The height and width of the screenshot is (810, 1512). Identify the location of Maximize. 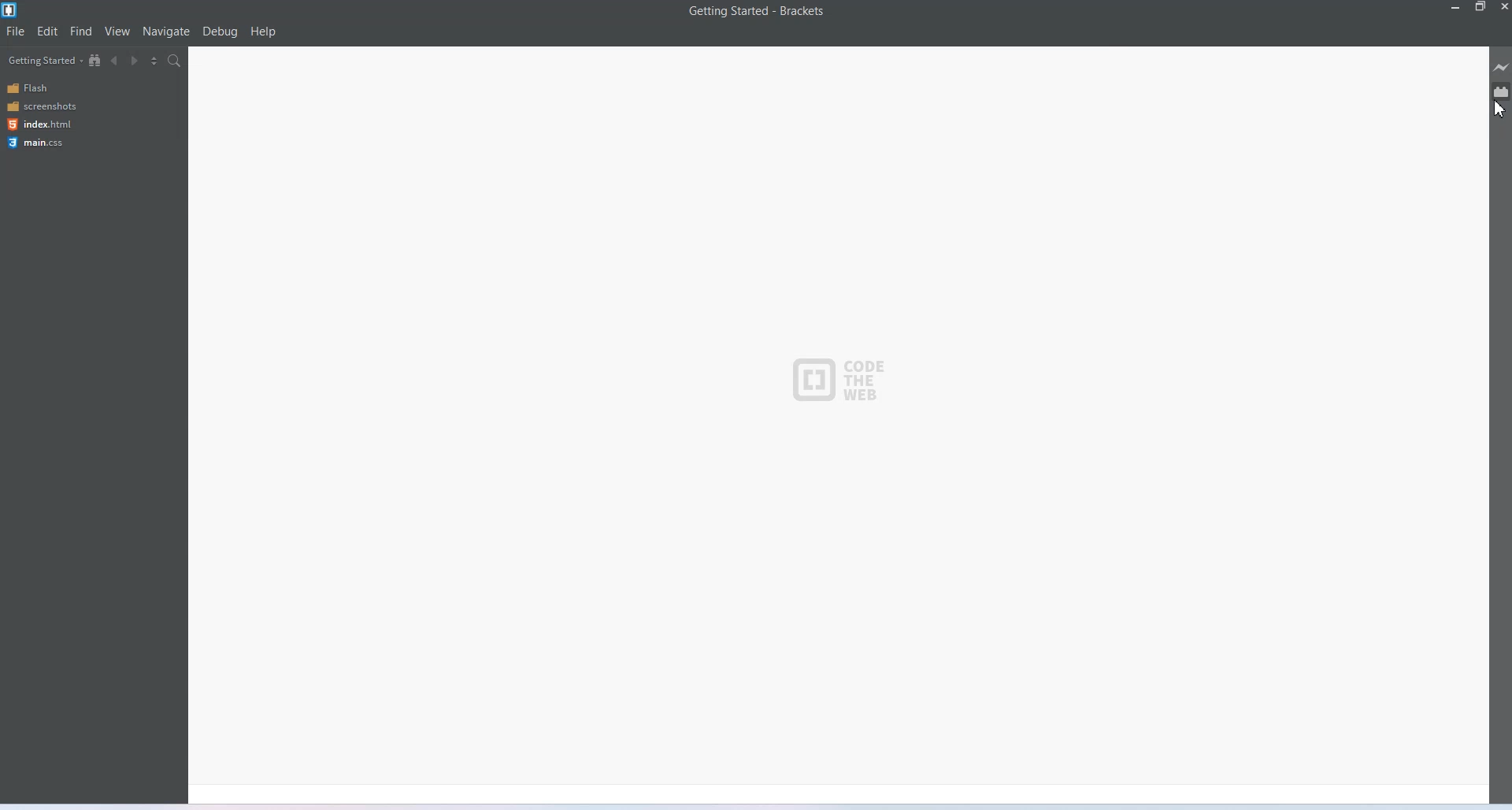
(1481, 7).